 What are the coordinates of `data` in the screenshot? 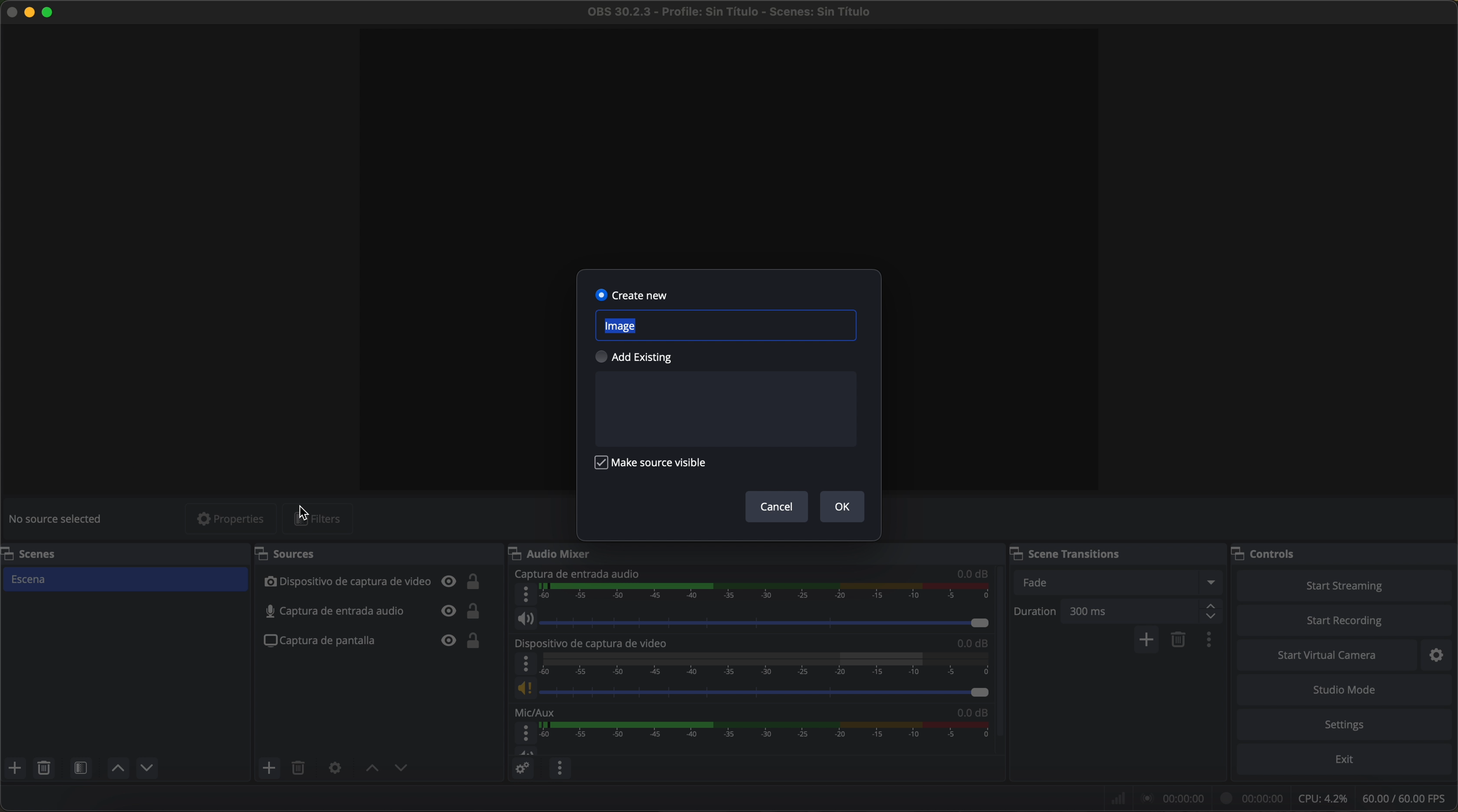 It's located at (1281, 798).